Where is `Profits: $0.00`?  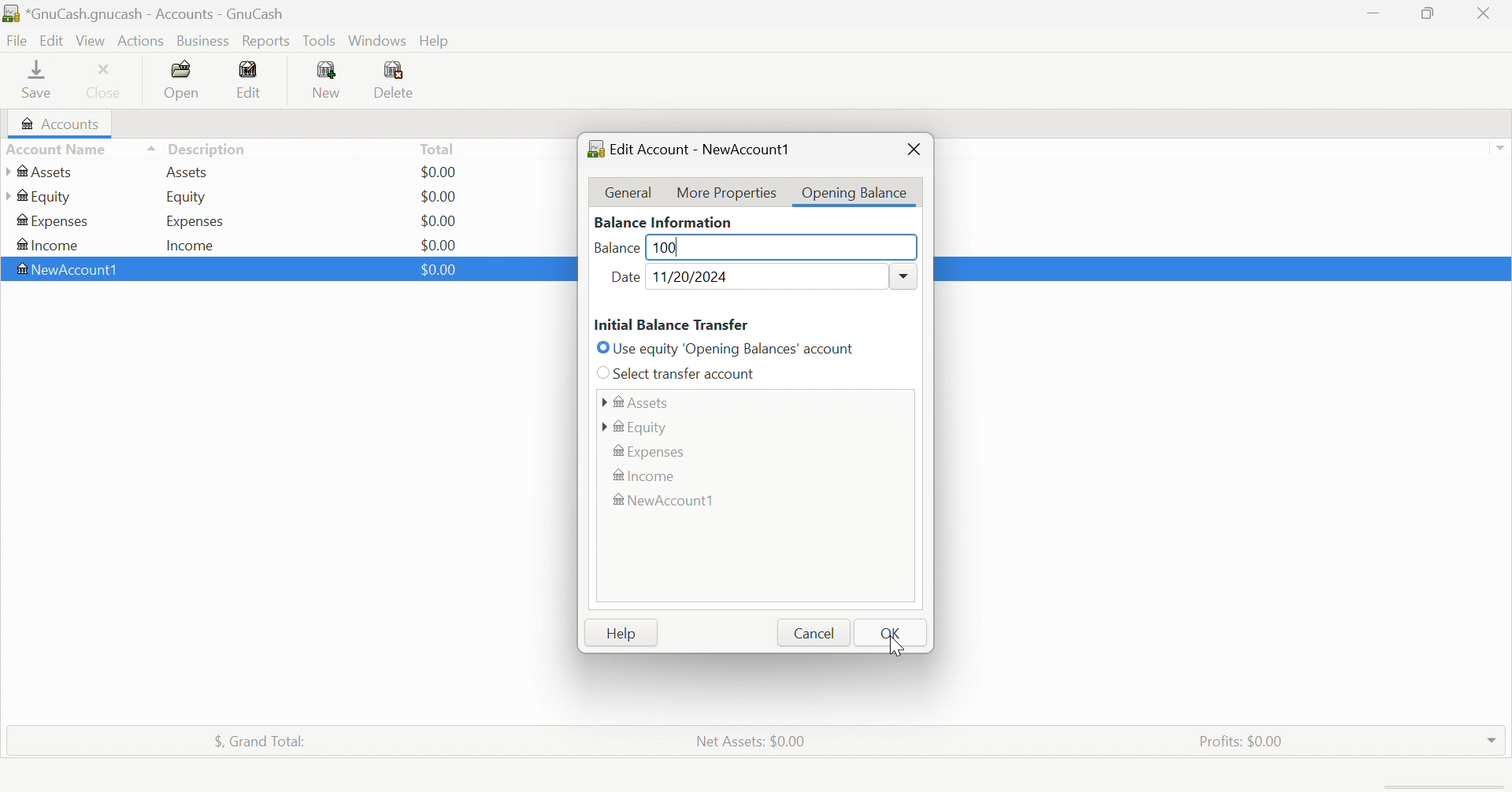 Profits: $0.00 is located at coordinates (1240, 739).